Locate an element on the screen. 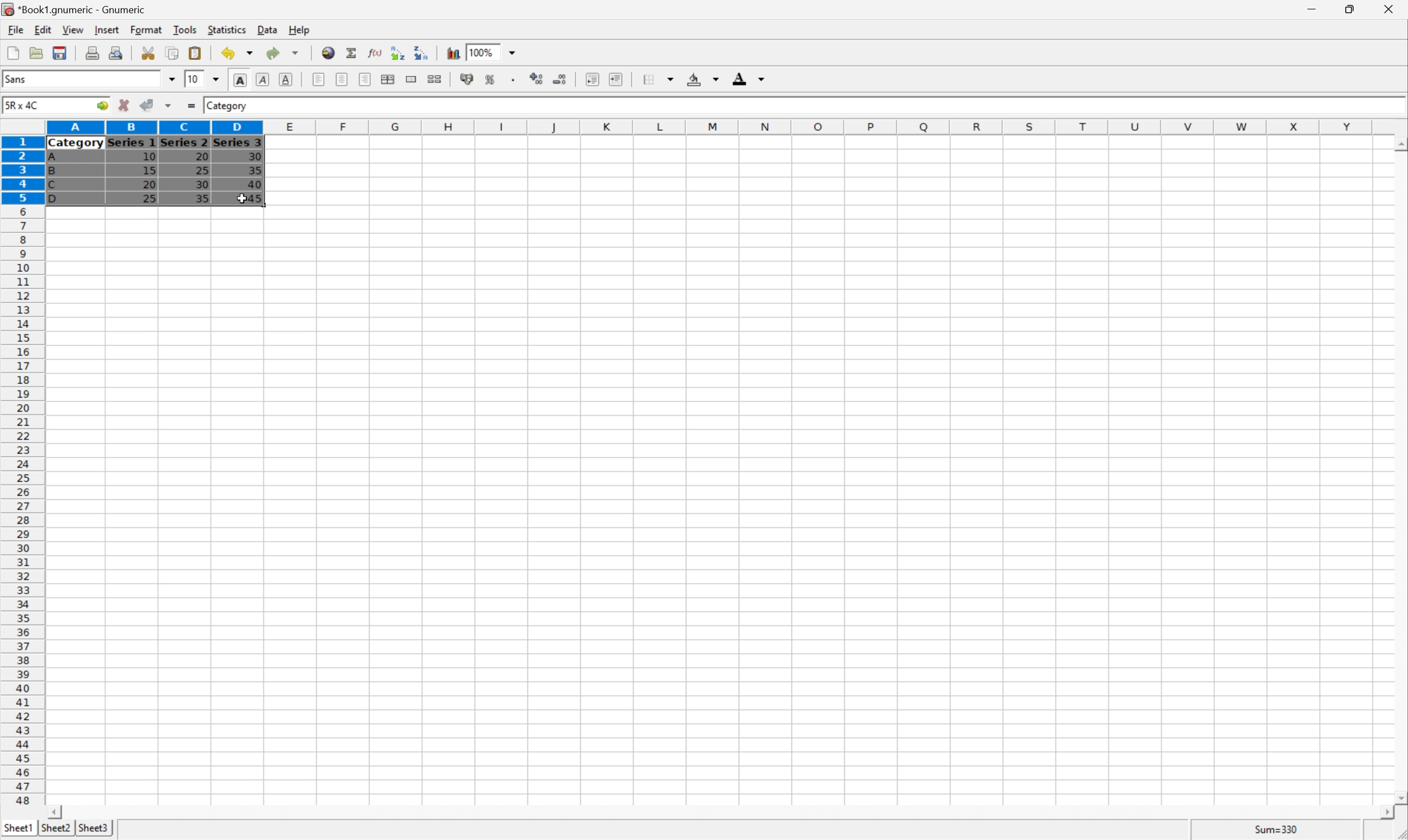 Image resolution: width=1408 pixels, height=840 pixels. Background is located at coordinates (701, 78).